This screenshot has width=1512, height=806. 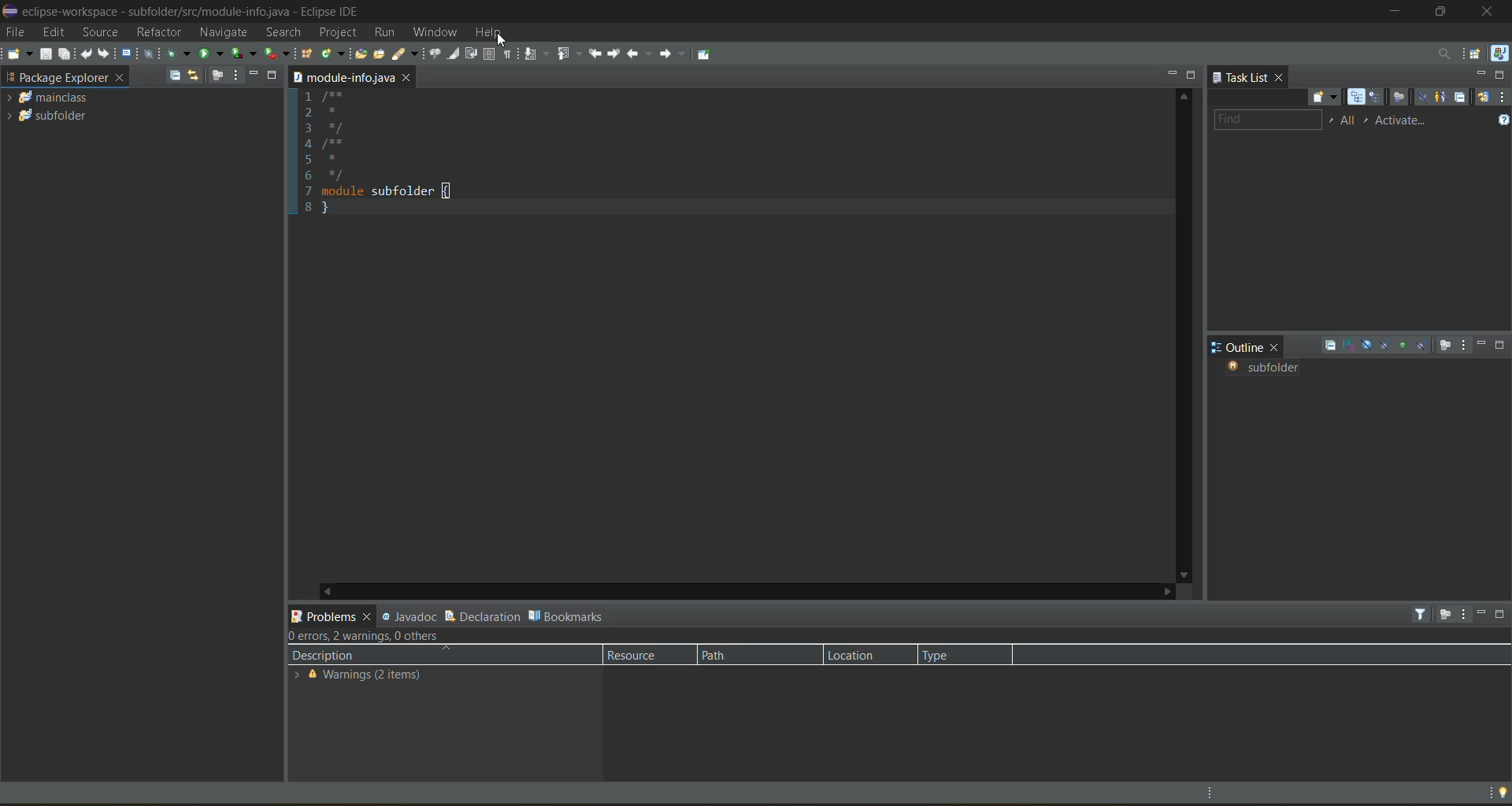 I want to click on close, so click(x=1282, y=78).